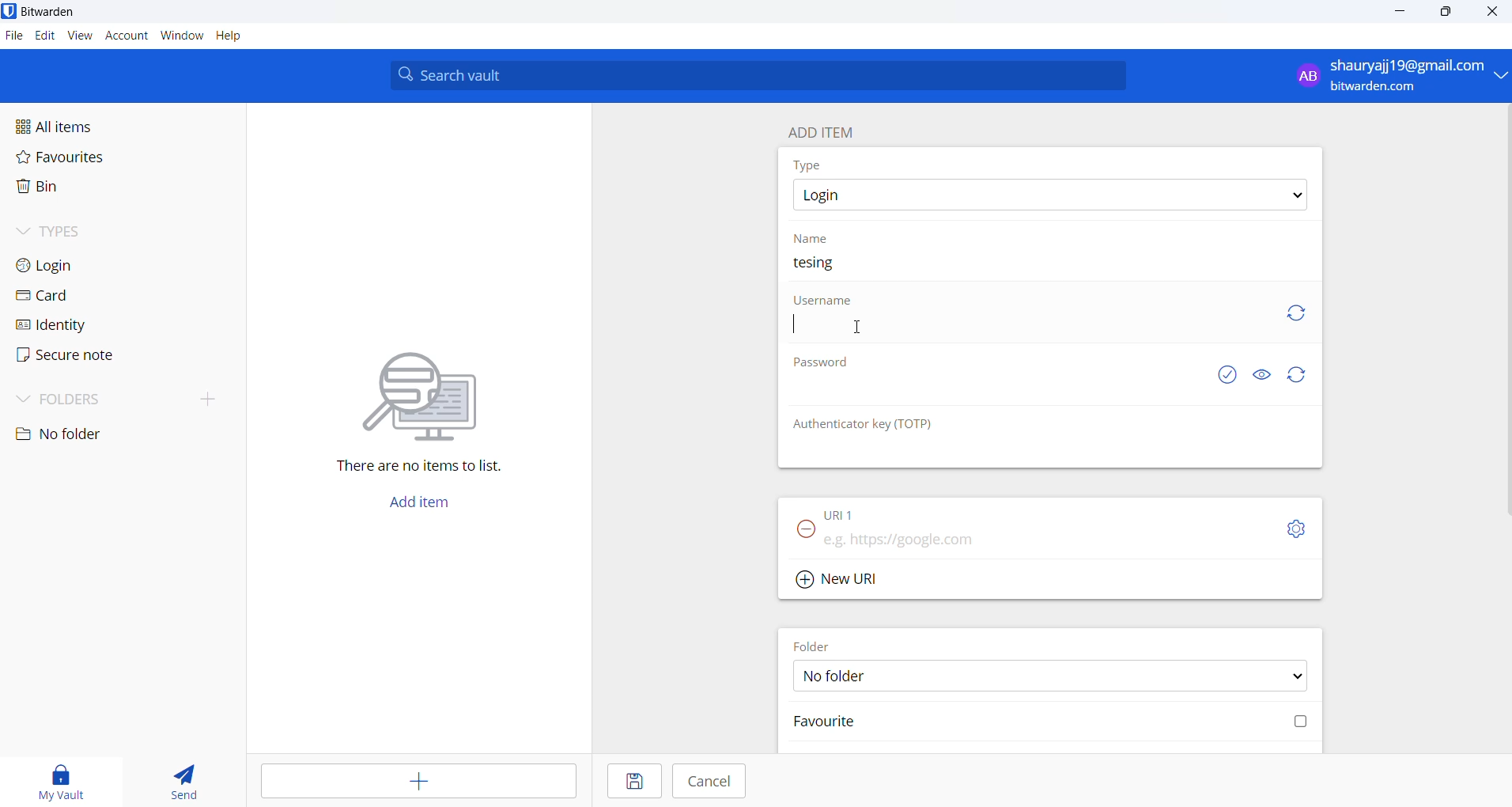 The height and width of the screenshot is (807, 1512). Describe the element at coordinates (845, 578) in the screenshot. I see `add new URL` at that location.